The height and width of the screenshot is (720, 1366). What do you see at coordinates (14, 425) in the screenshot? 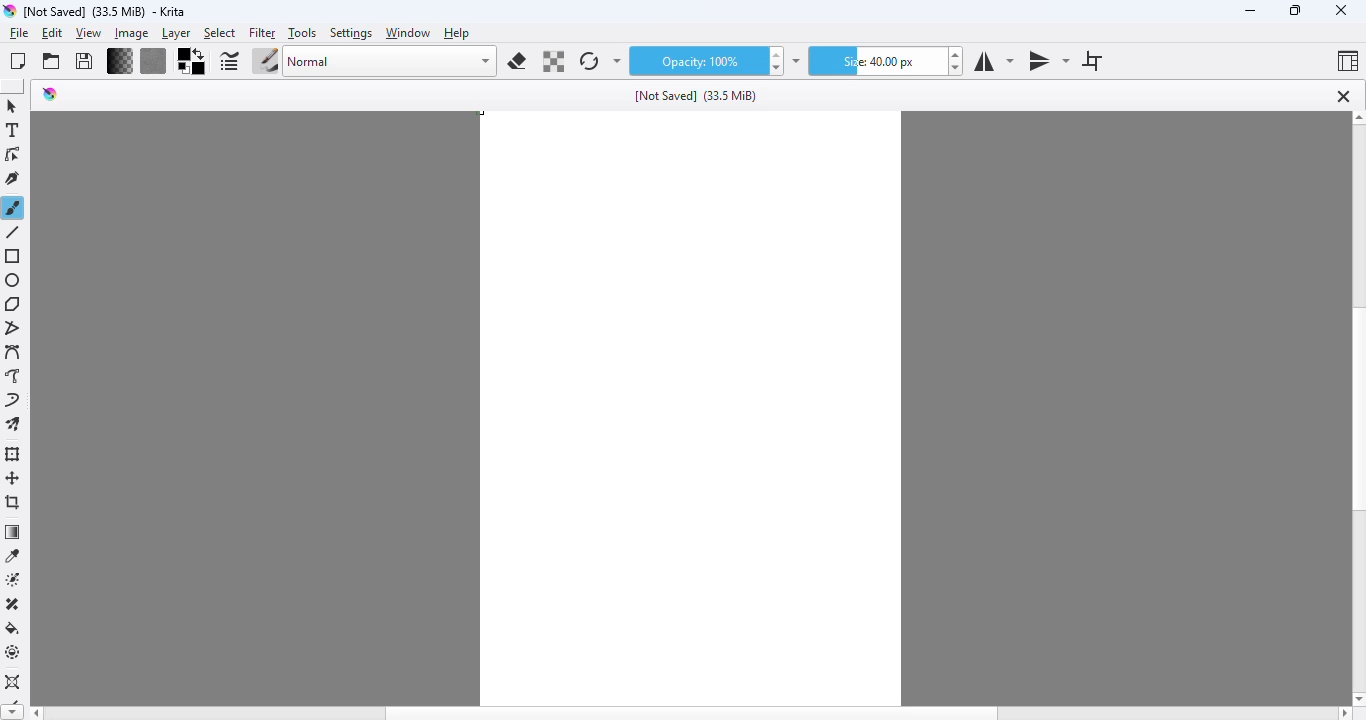
I see `multibrush tool` at bounding box center [14, 425].